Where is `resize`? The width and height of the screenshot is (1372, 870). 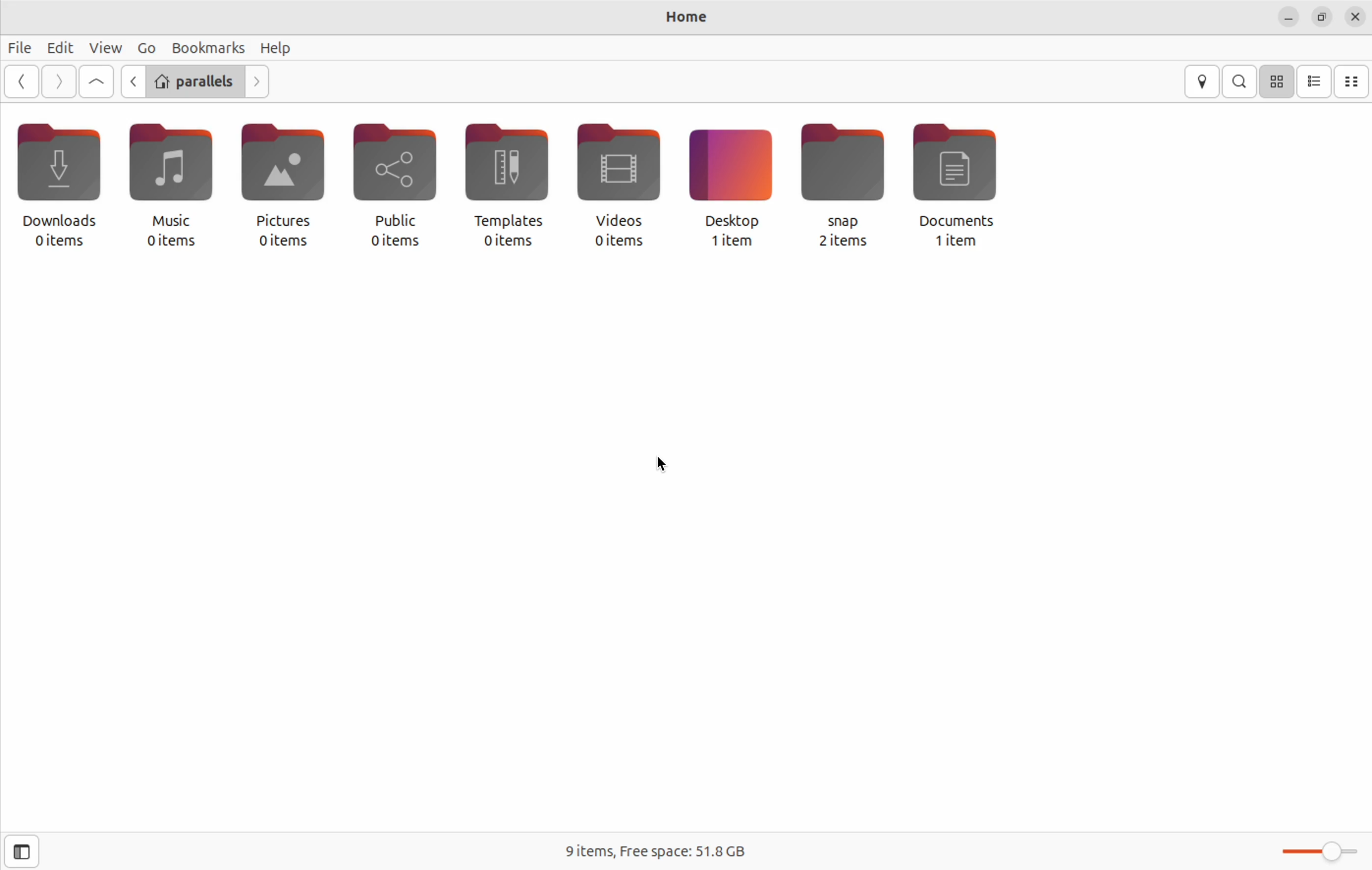 resize is located at coordinates (1322, 17).